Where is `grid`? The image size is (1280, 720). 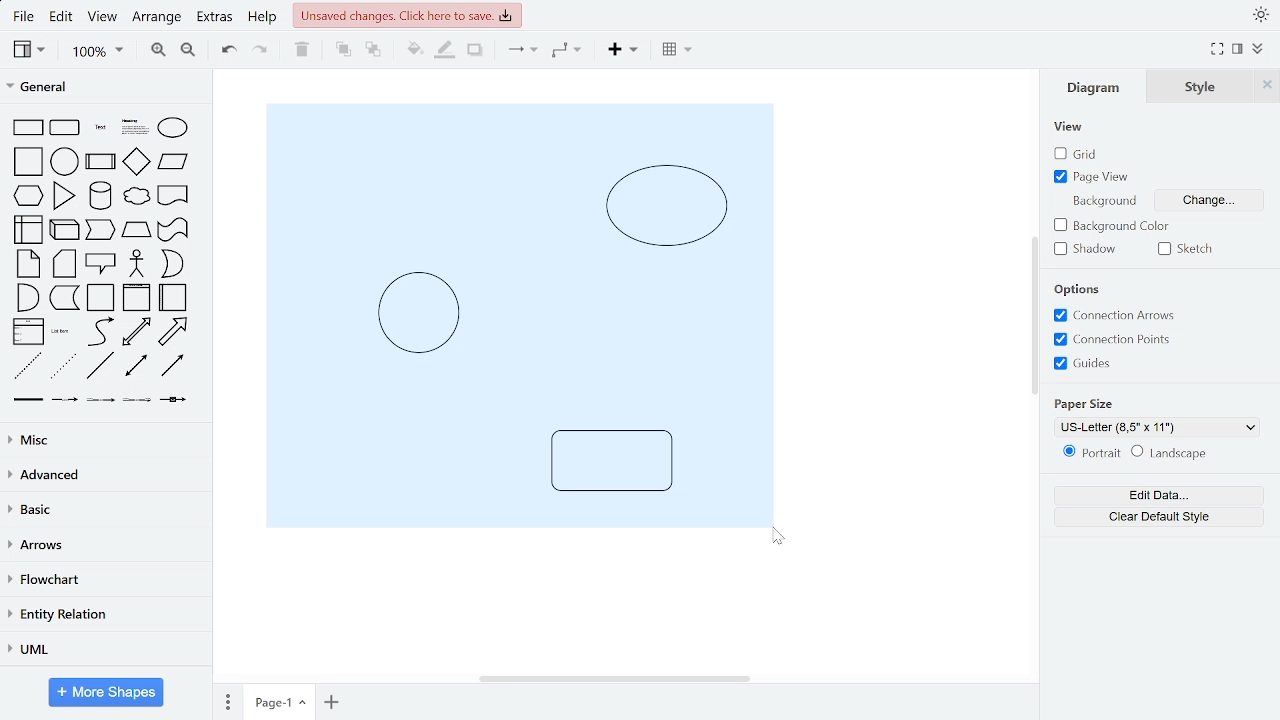
grid is located at coordinates (1078, 154).